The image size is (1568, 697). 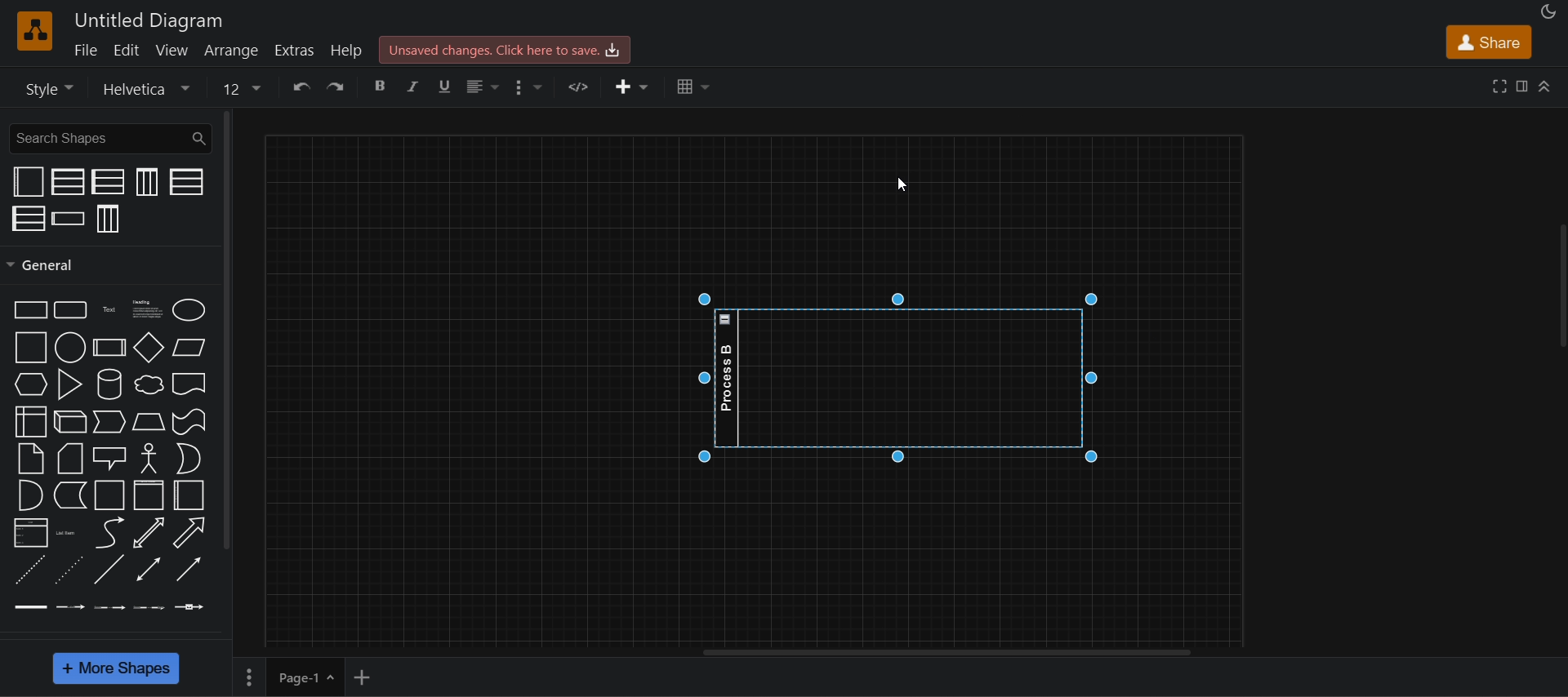 I want to click on vertical pool 2, so click(x=68, y=182).